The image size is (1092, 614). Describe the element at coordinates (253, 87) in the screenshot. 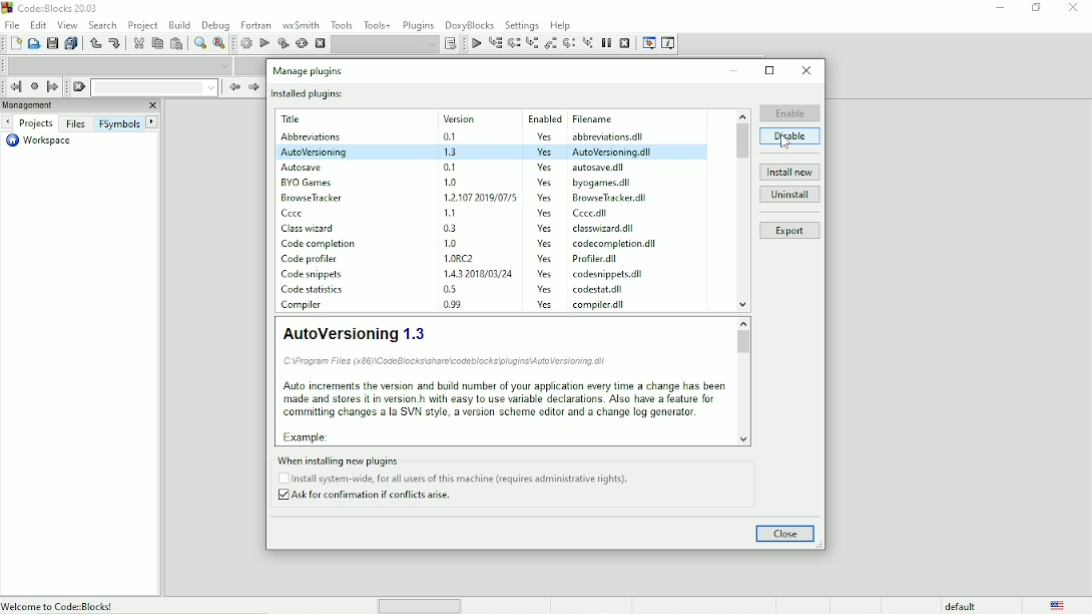

I see `Next` at that location.